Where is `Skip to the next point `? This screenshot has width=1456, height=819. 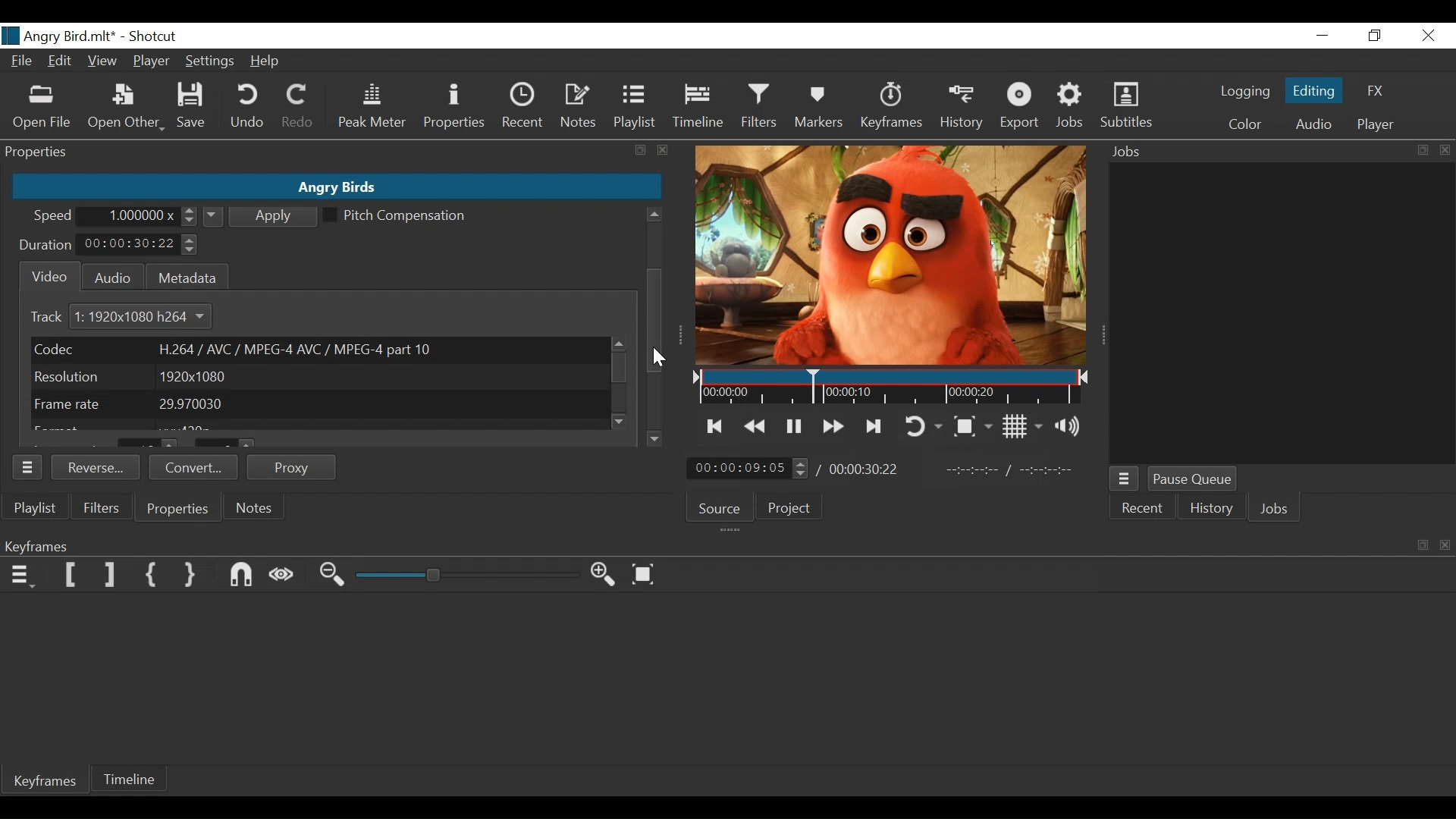 Skip to the next point  is located at coordinates (875, 426).